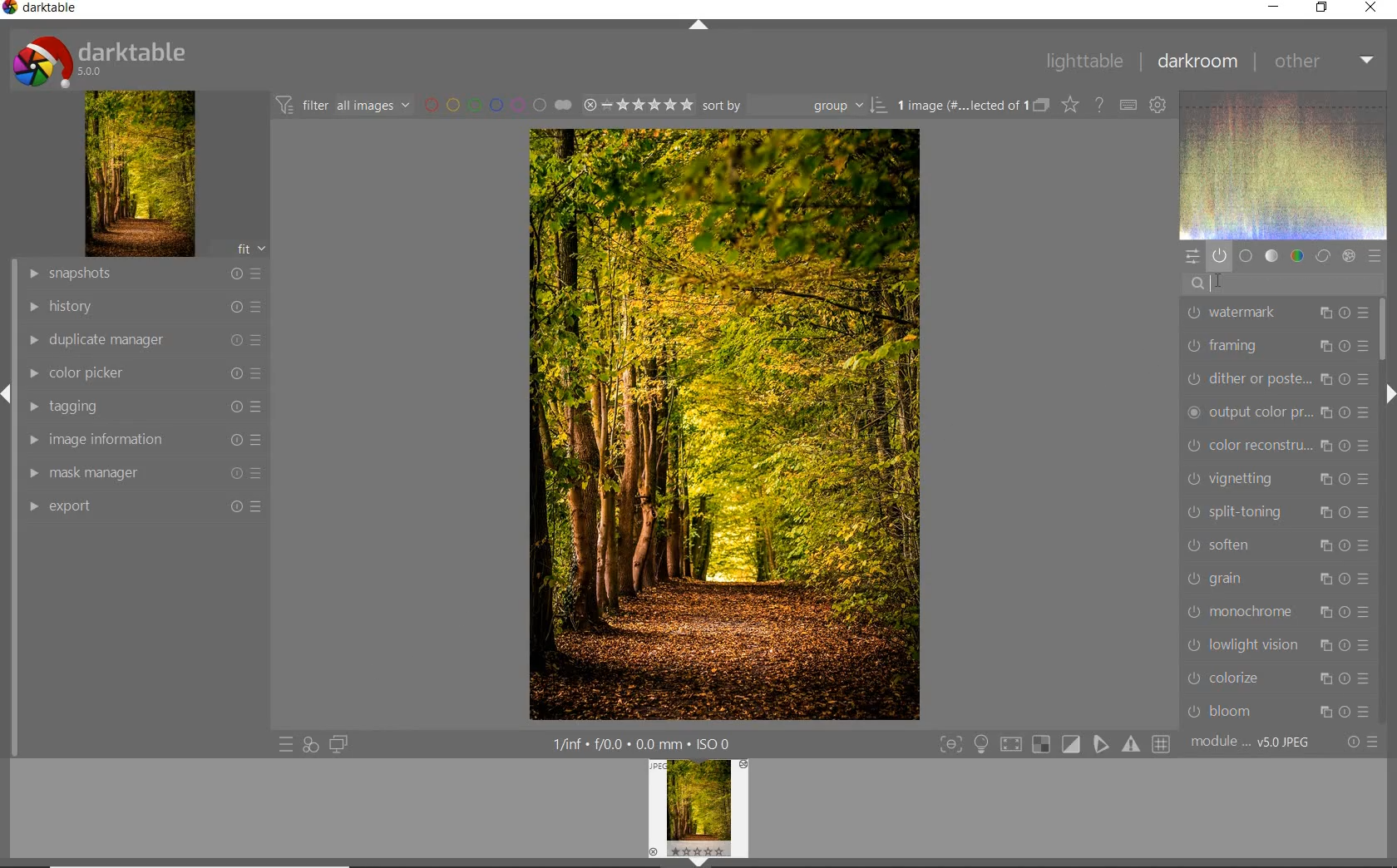 This screenshot has width=1397, height=868. What do you see at coordinates (1101, 105) in the screenshot?
I see `enable for online help` at bounding box center [1101, 105].